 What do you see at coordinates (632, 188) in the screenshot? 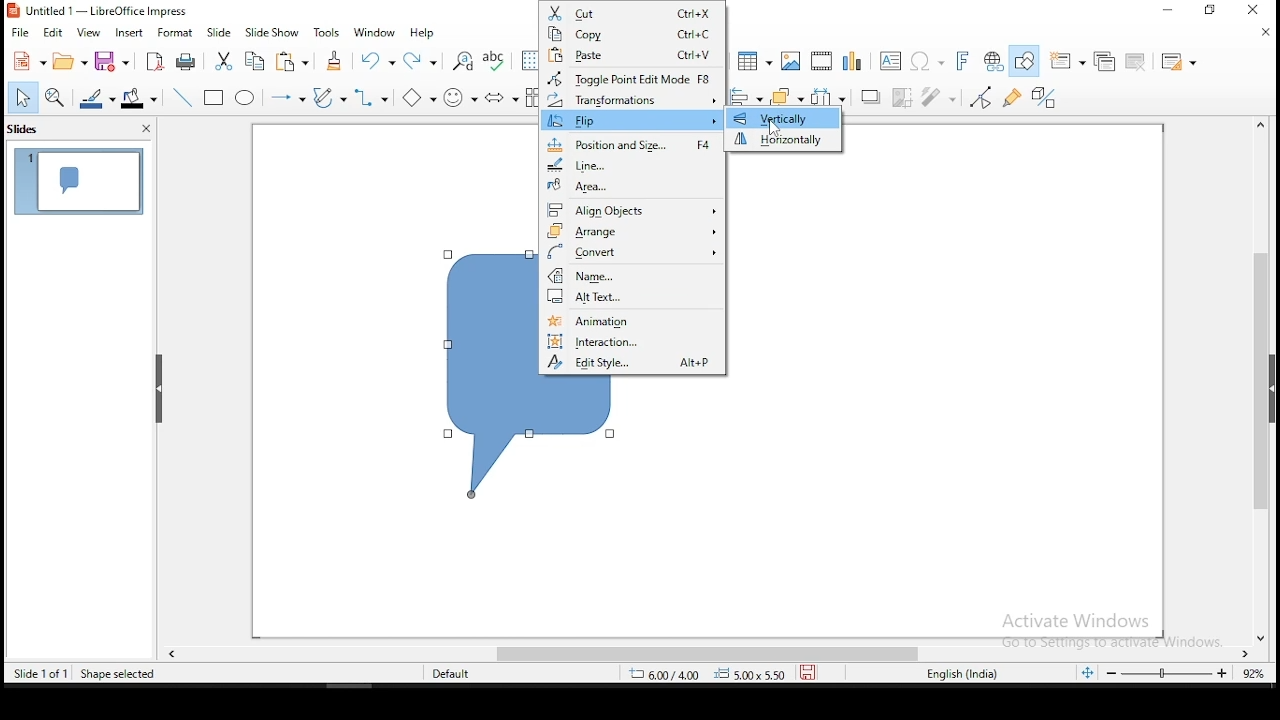
I see `area` at bounding box center [632, 188].